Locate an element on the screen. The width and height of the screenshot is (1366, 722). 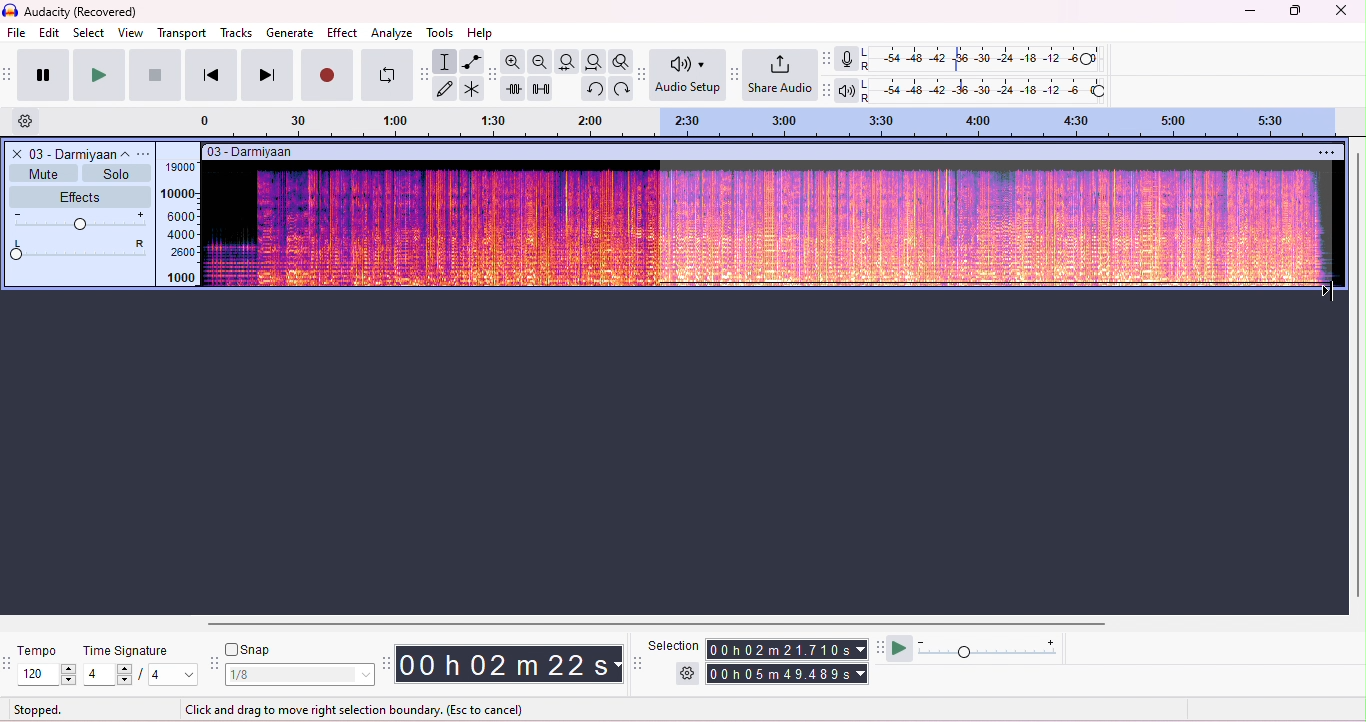
volume is located at coordinates (81, 222).